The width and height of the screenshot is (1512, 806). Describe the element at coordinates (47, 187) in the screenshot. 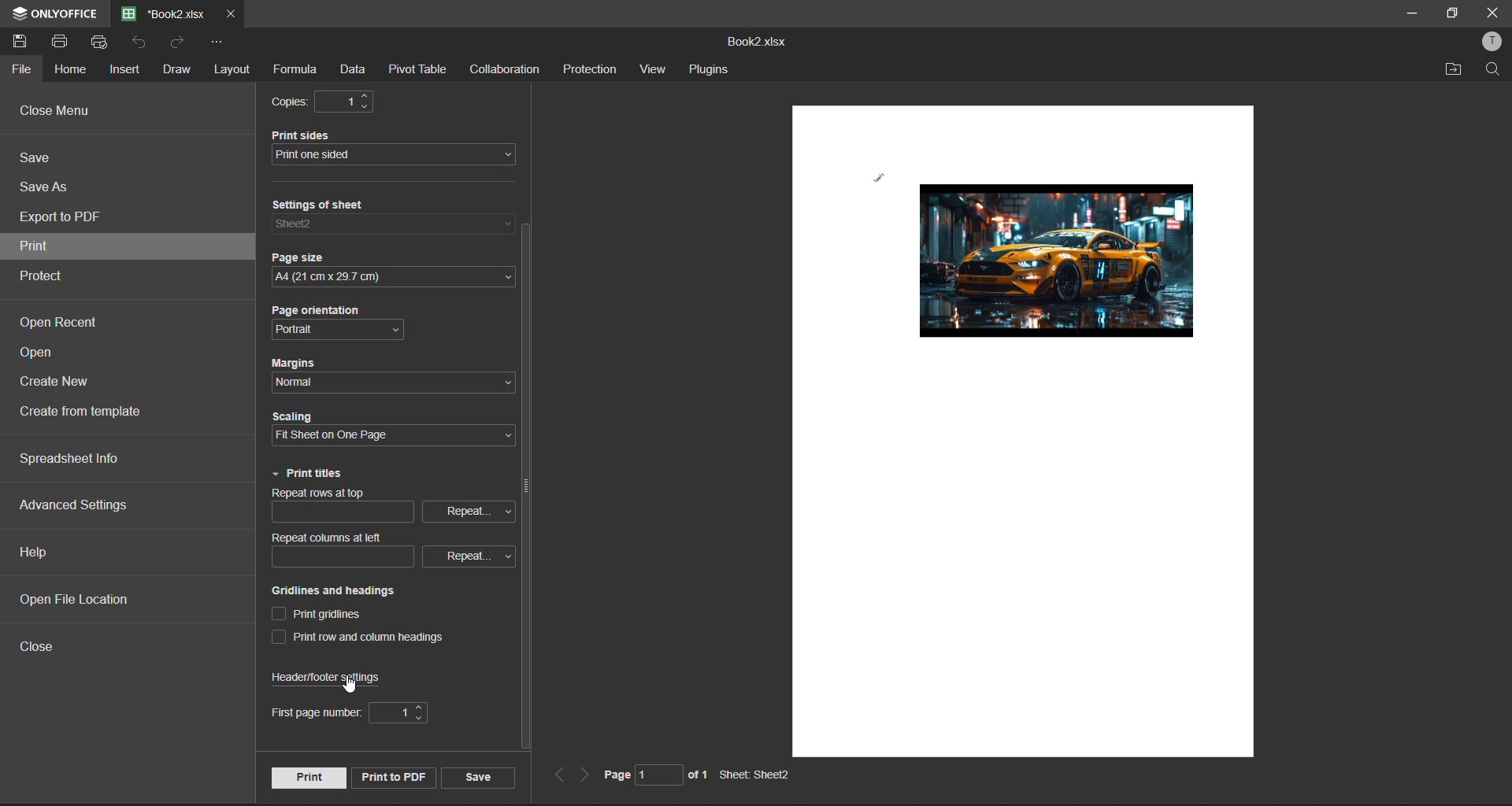

I see `save as` at that location.